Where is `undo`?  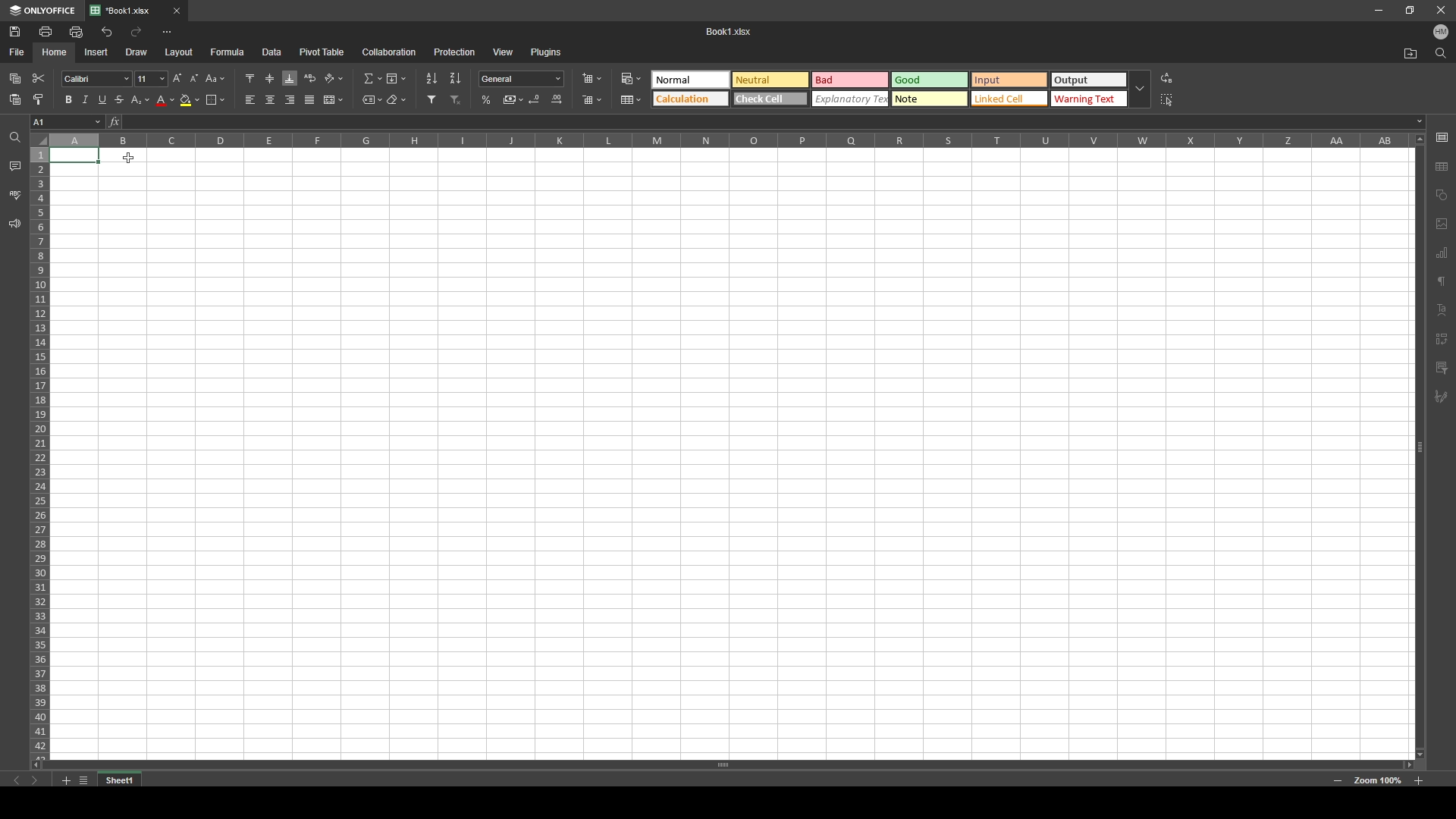 undo is located at coordinates (106, 33).